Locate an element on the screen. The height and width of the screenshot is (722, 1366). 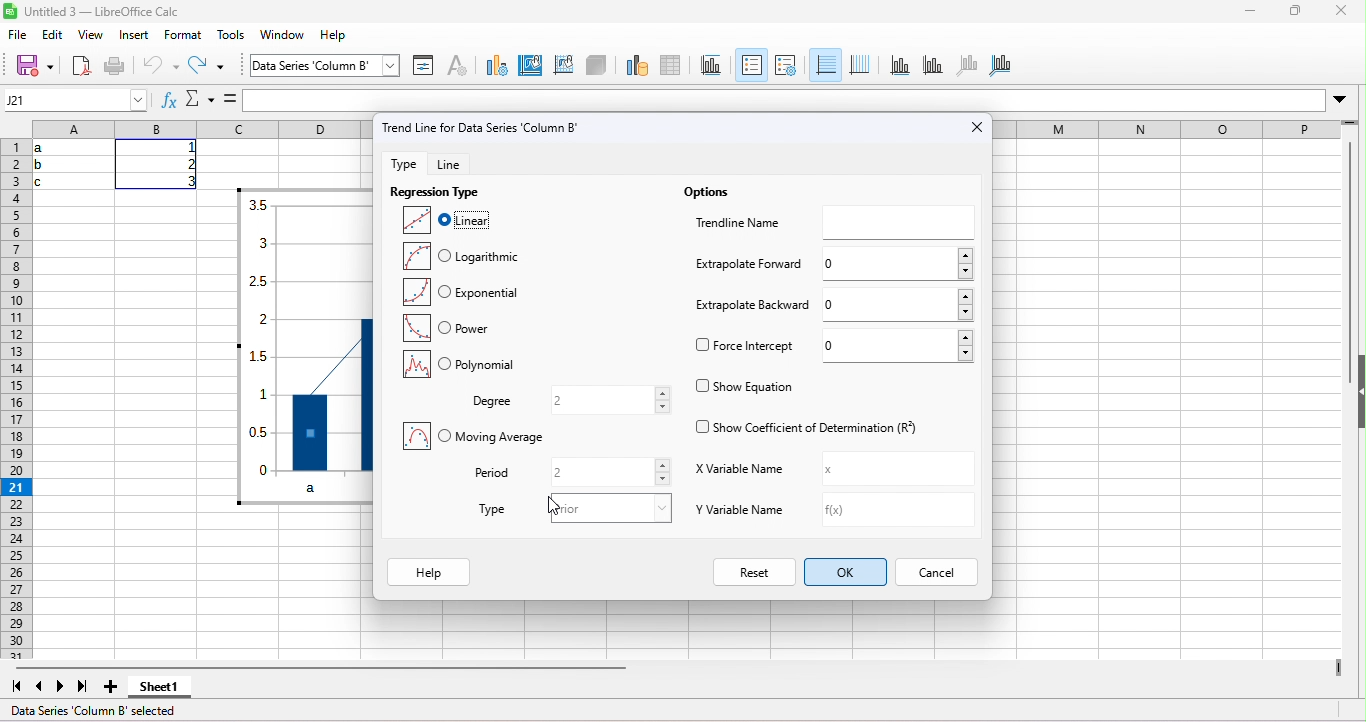
view is located at coordinates (92, 34).